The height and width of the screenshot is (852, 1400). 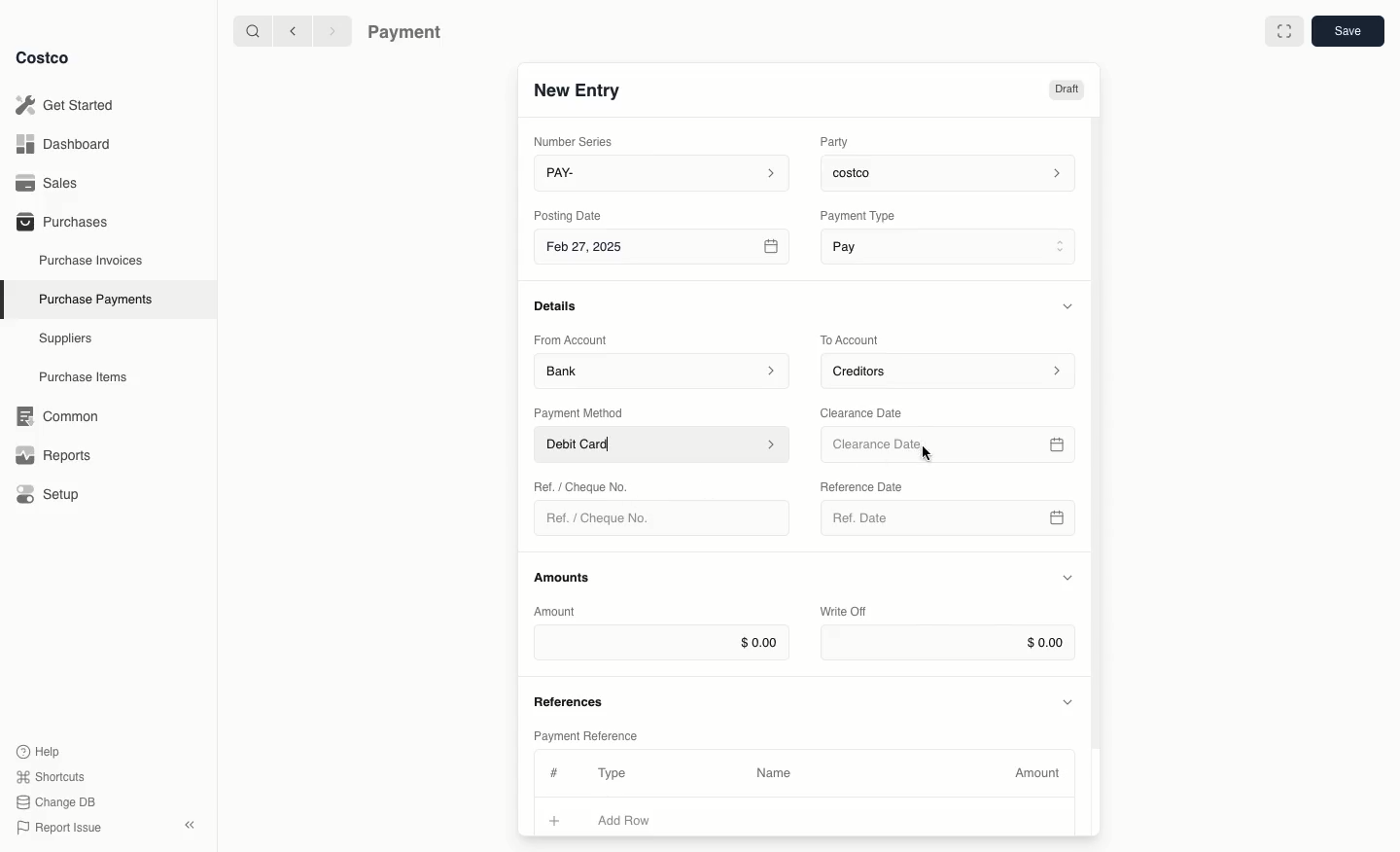 I want to click on #, so click(x=551, y=770).